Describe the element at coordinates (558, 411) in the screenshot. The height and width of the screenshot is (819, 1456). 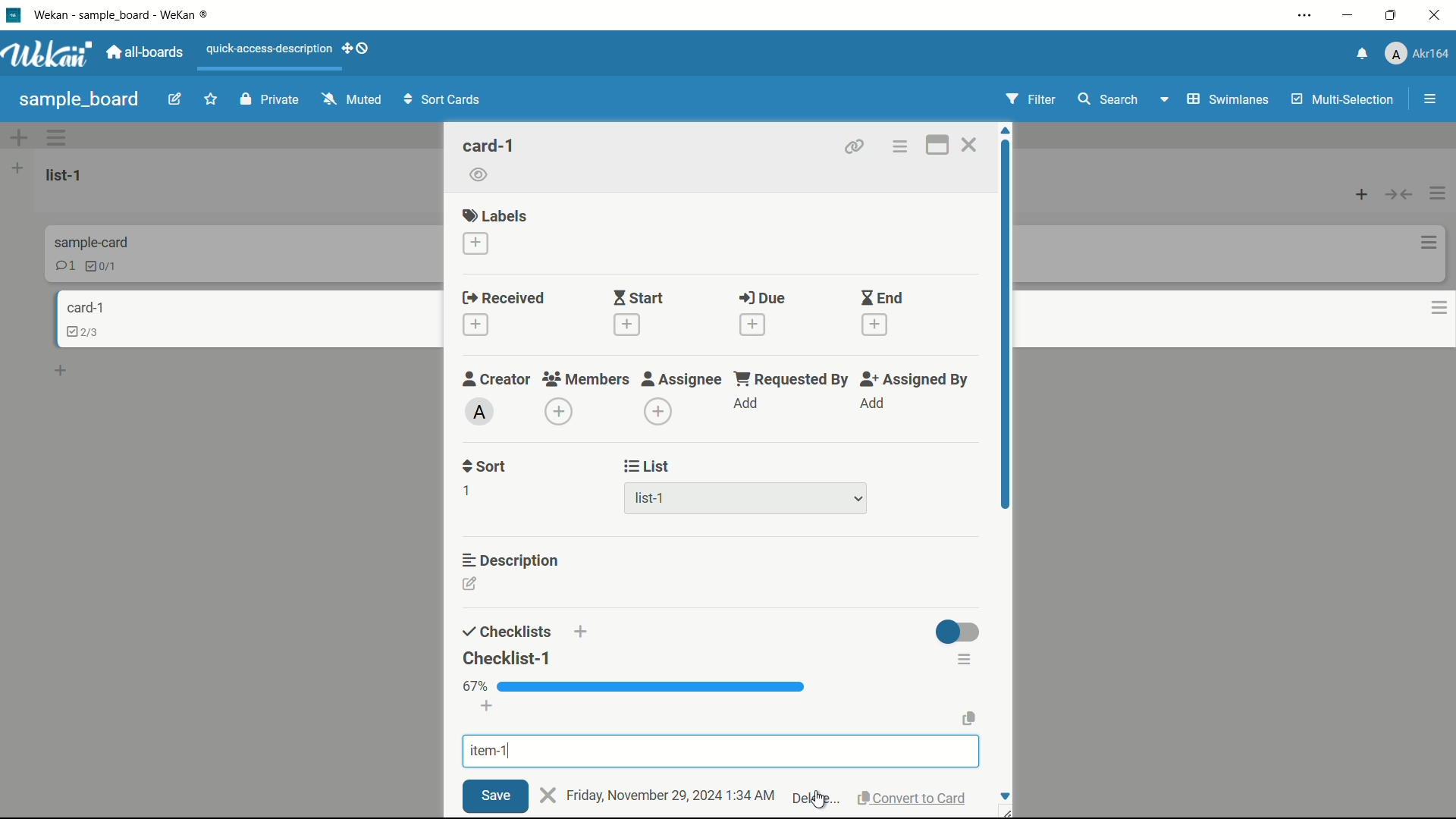
I see `add member` at that location.